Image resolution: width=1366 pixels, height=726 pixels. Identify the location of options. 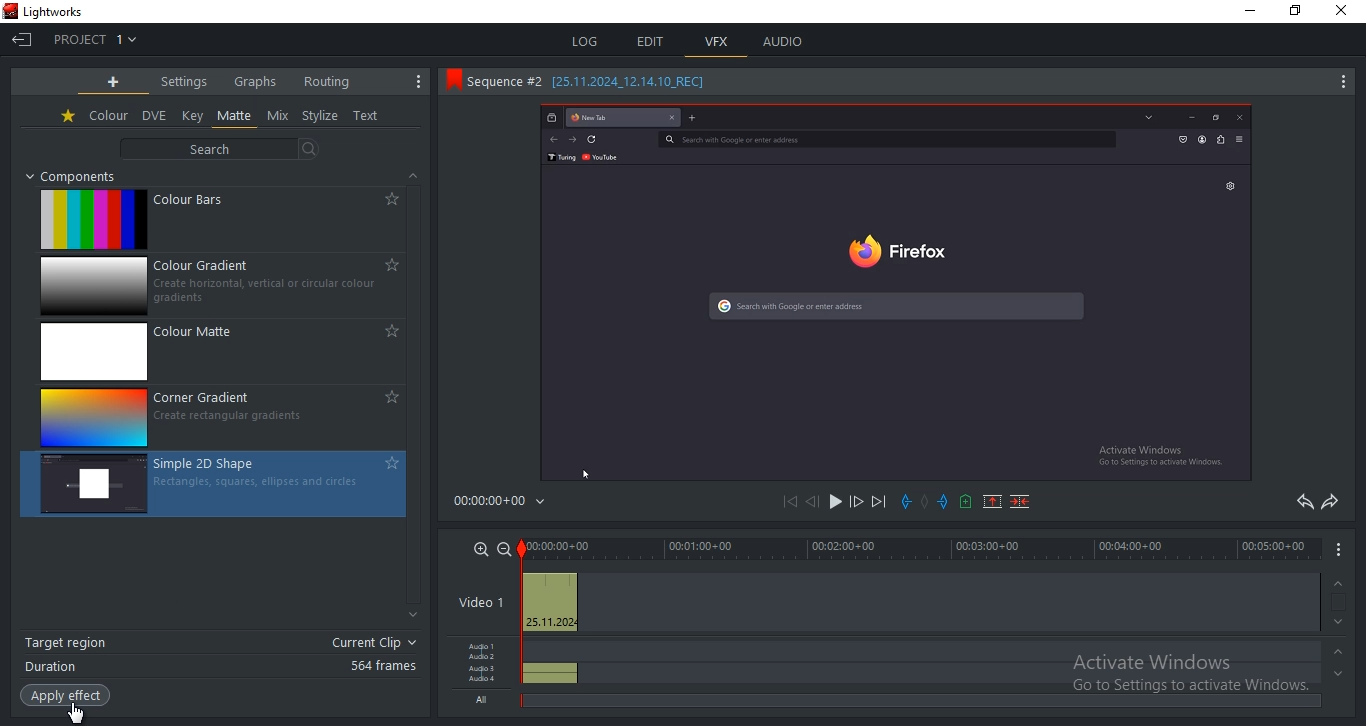
(1343, 549).